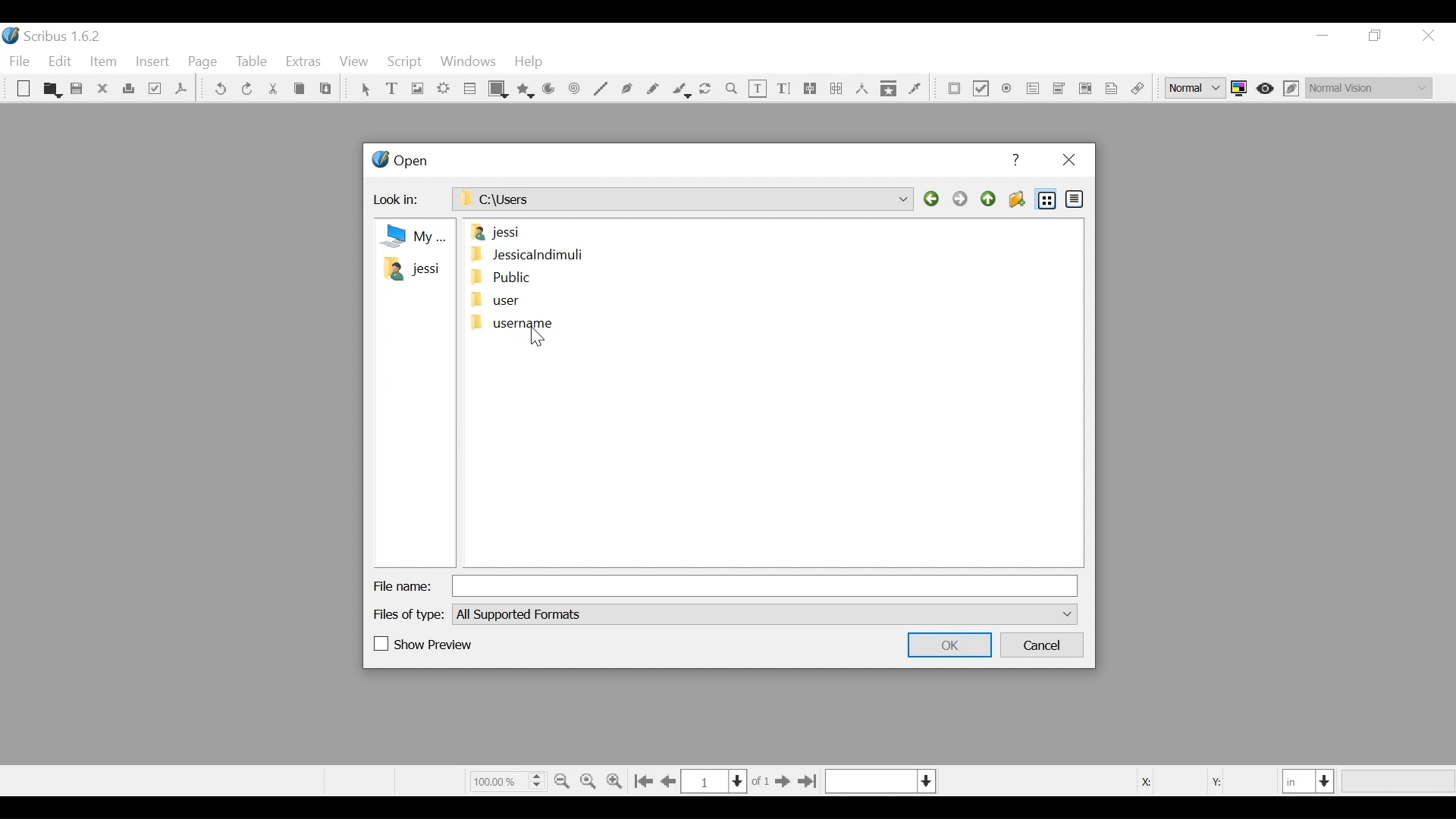  What do you see at coordinates (507, 780) in the screenshot?
I see `Zoom Factor` at bounding box center [507, 780].